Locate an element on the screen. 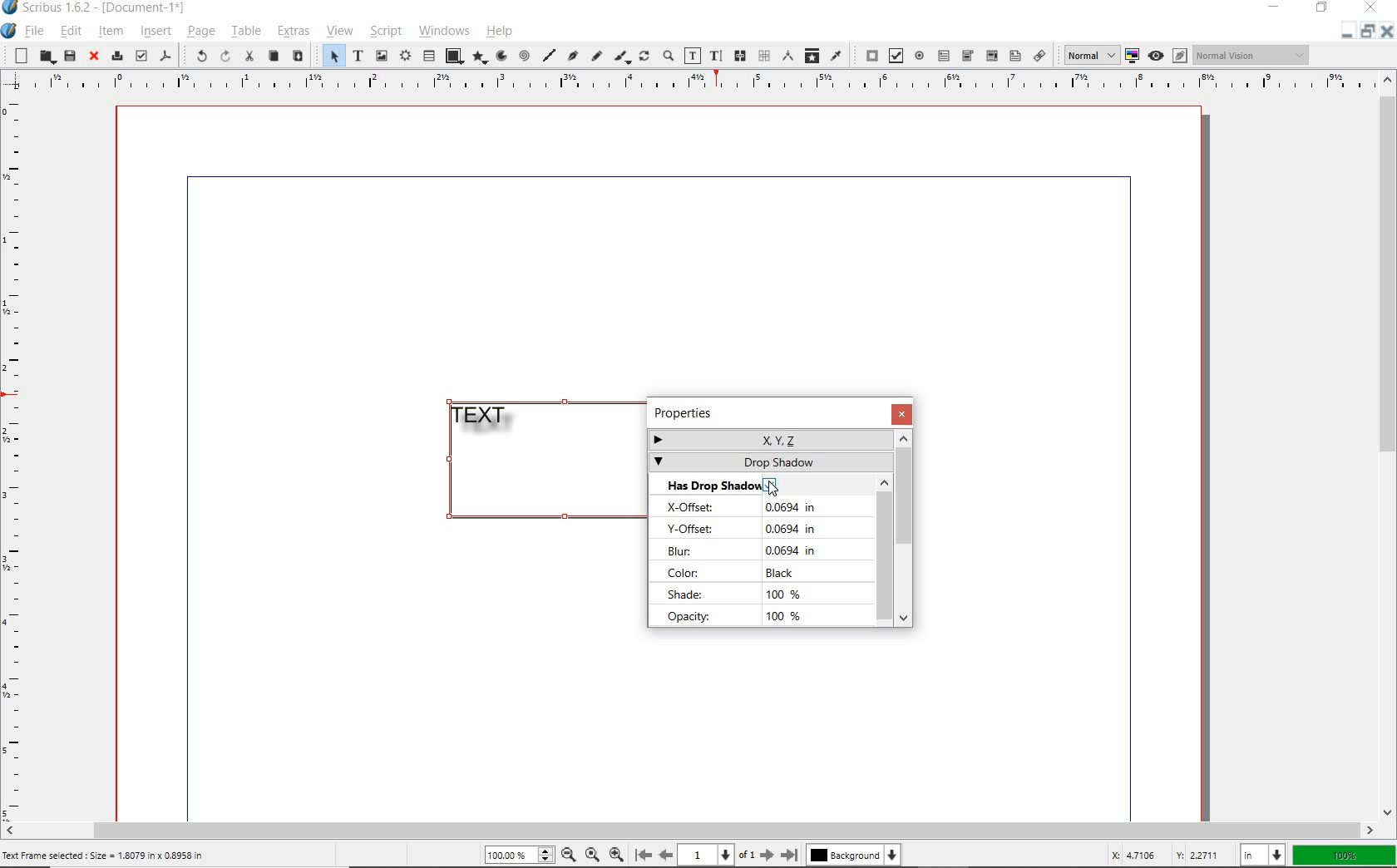 This screenshot has height=868, width=1397. x,y,z is located at coordinates (768, 437).